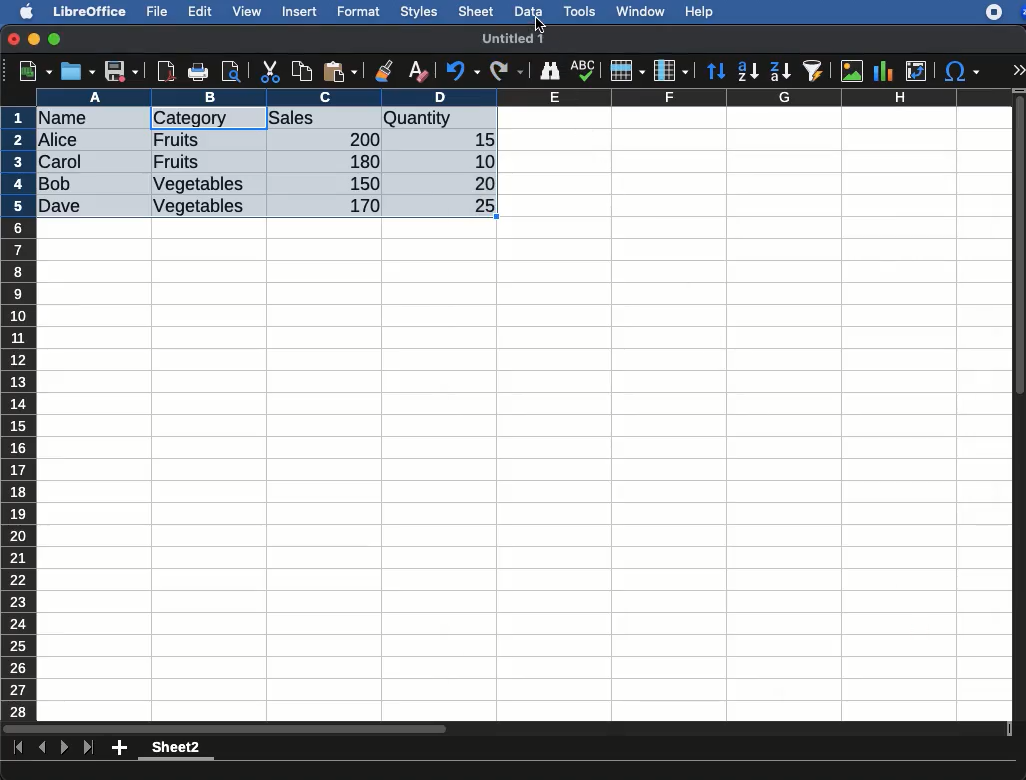 The width and height of the screenshot is (1026, 780). What do you see at coordinates (339, 71) in the screenshot?
I see `paste` at bounding box center [339, 71].